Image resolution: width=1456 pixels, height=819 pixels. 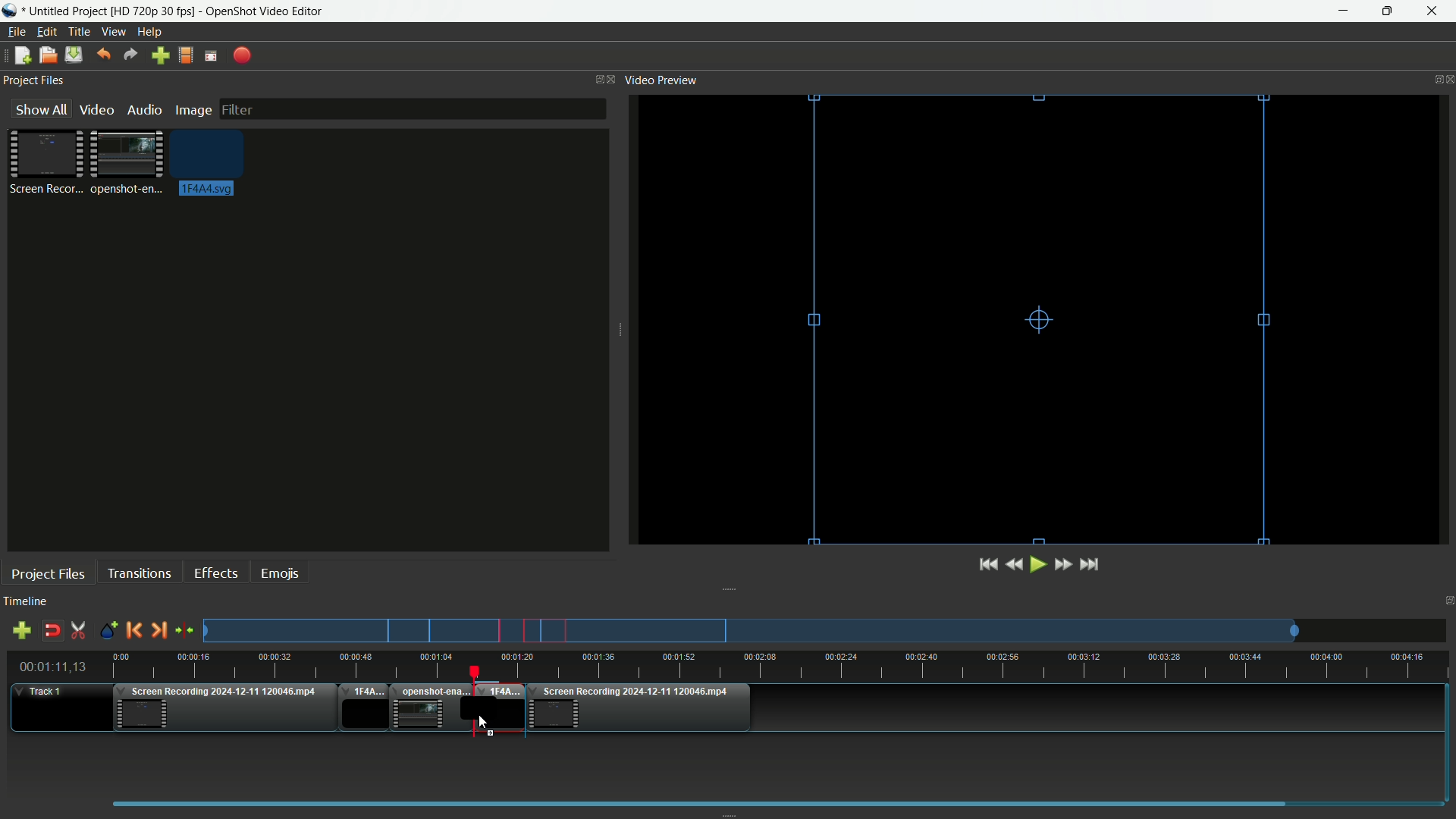 What do you see at coordinates (79, 631) in the screenshot?
I see `Enable razor` at bounding box center [79, 631].